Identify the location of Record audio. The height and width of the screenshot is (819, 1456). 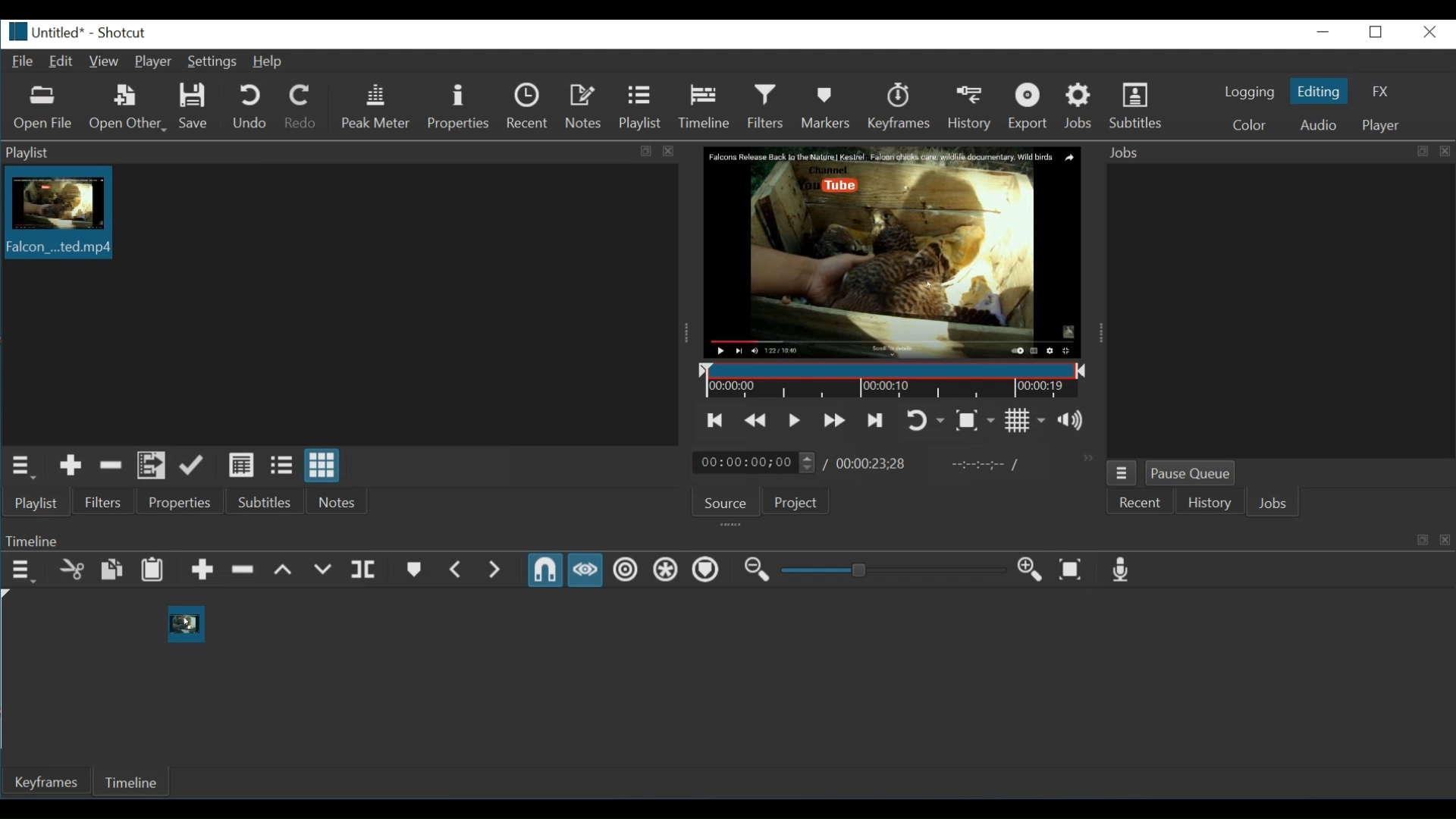
(1118, 570).